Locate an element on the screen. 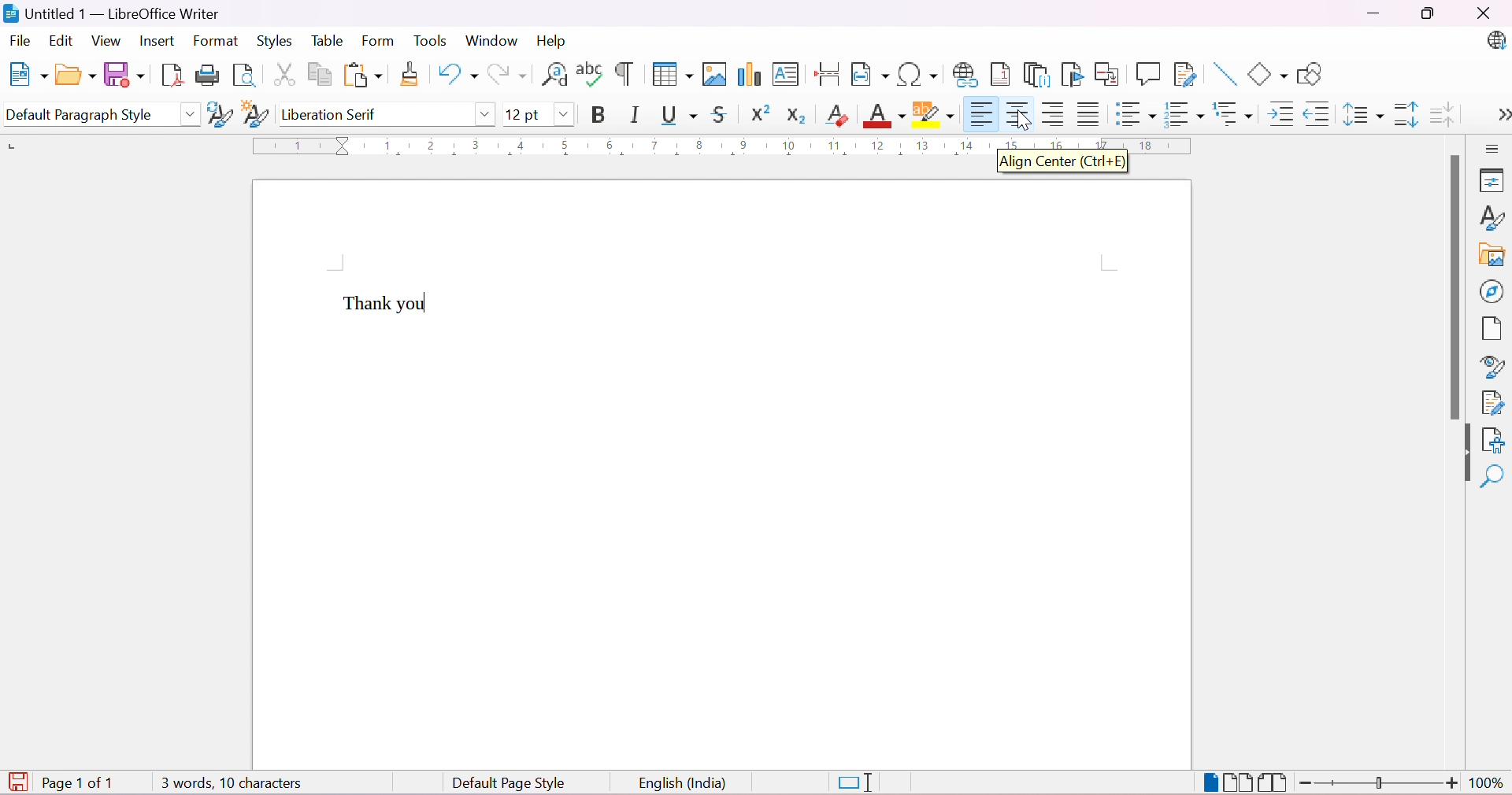 Image resolution: width=1512 pixels, height=795 pixels. Zoom In is located at coordinates (1452, 784).